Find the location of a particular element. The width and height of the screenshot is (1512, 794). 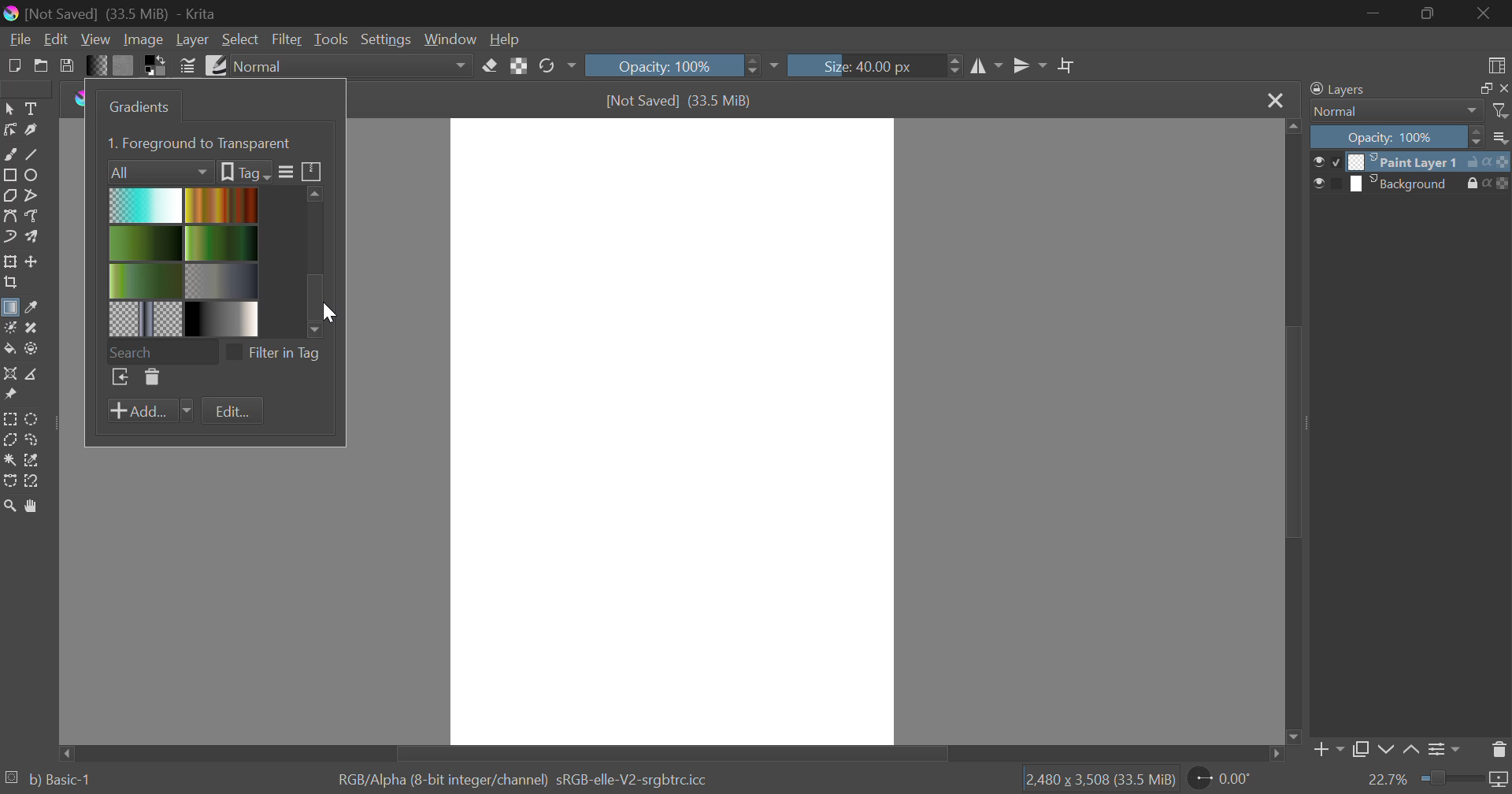

Reference Images is located at coordinates (9, 397).